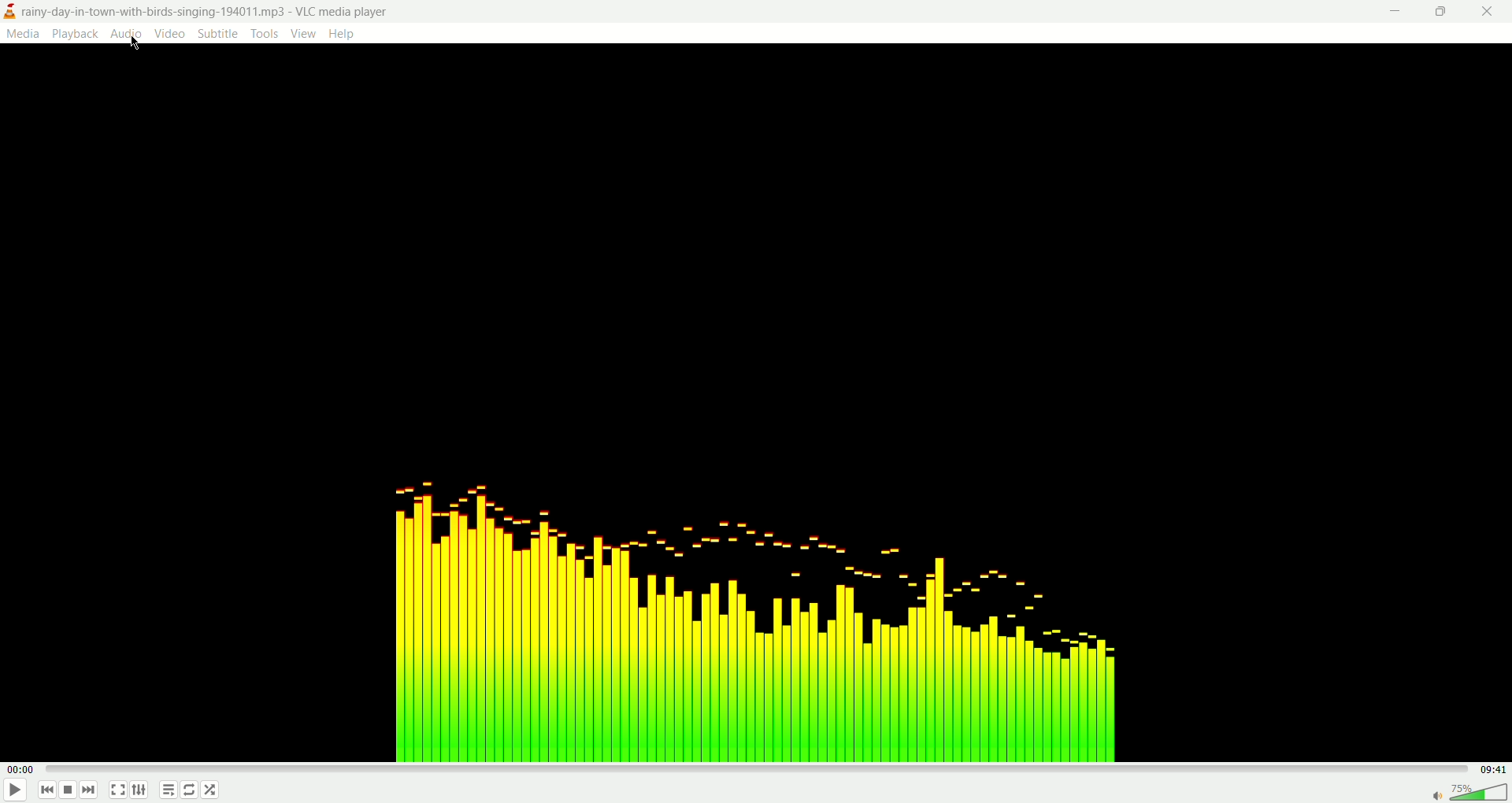 The width and height of the screenshot is (1512, 803). I want to click on next, so click(91, 790).